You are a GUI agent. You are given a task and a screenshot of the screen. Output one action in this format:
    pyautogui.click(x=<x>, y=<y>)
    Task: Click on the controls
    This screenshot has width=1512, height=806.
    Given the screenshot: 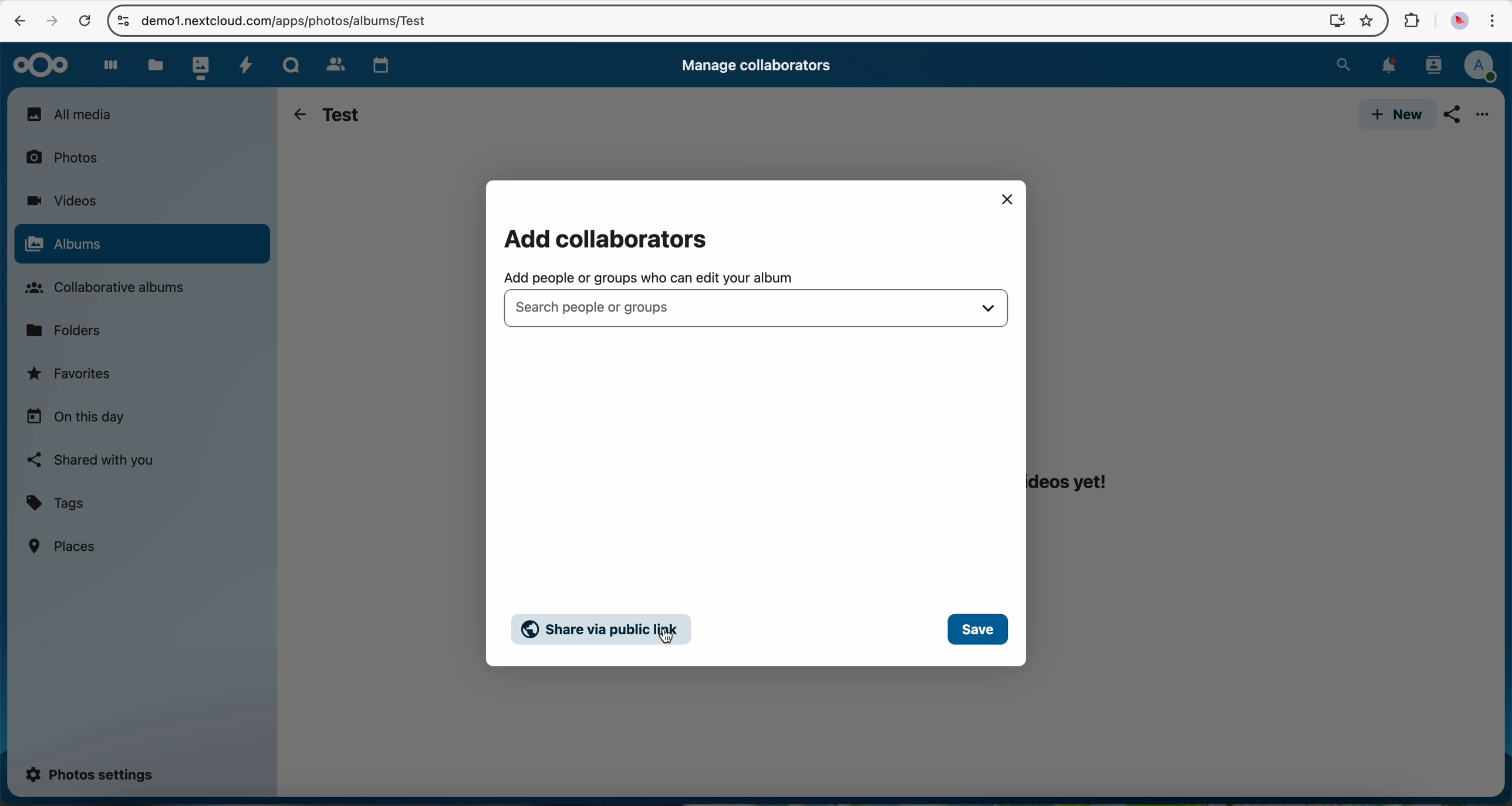 What is the action you would take?
    pyautogui.click(x=123, y=20)
    